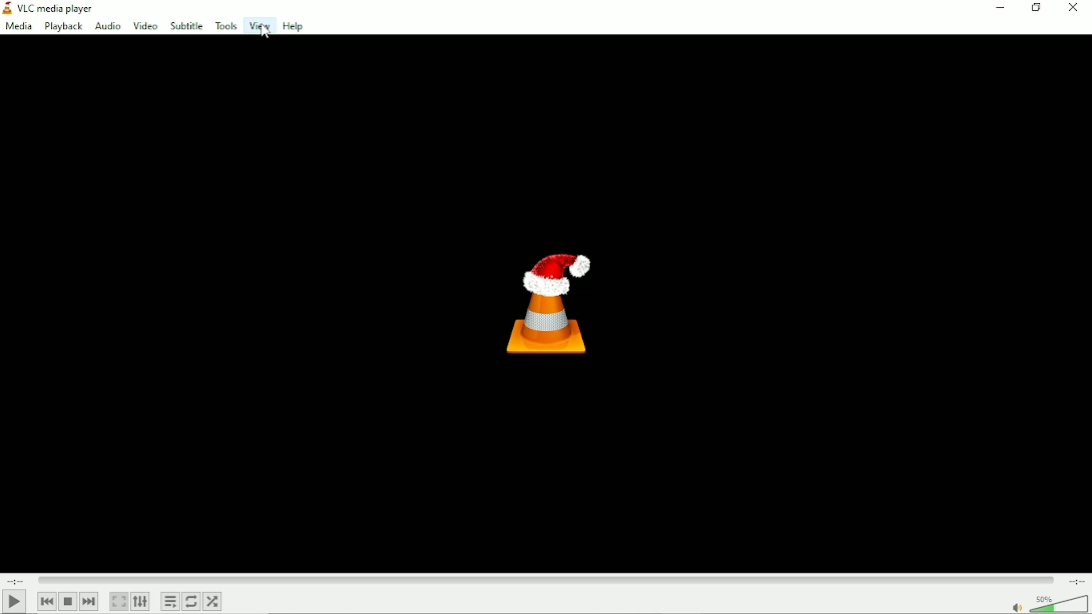  Describe the element at coordinates (214, 601) in the screenshot. I see `Random` at that location.